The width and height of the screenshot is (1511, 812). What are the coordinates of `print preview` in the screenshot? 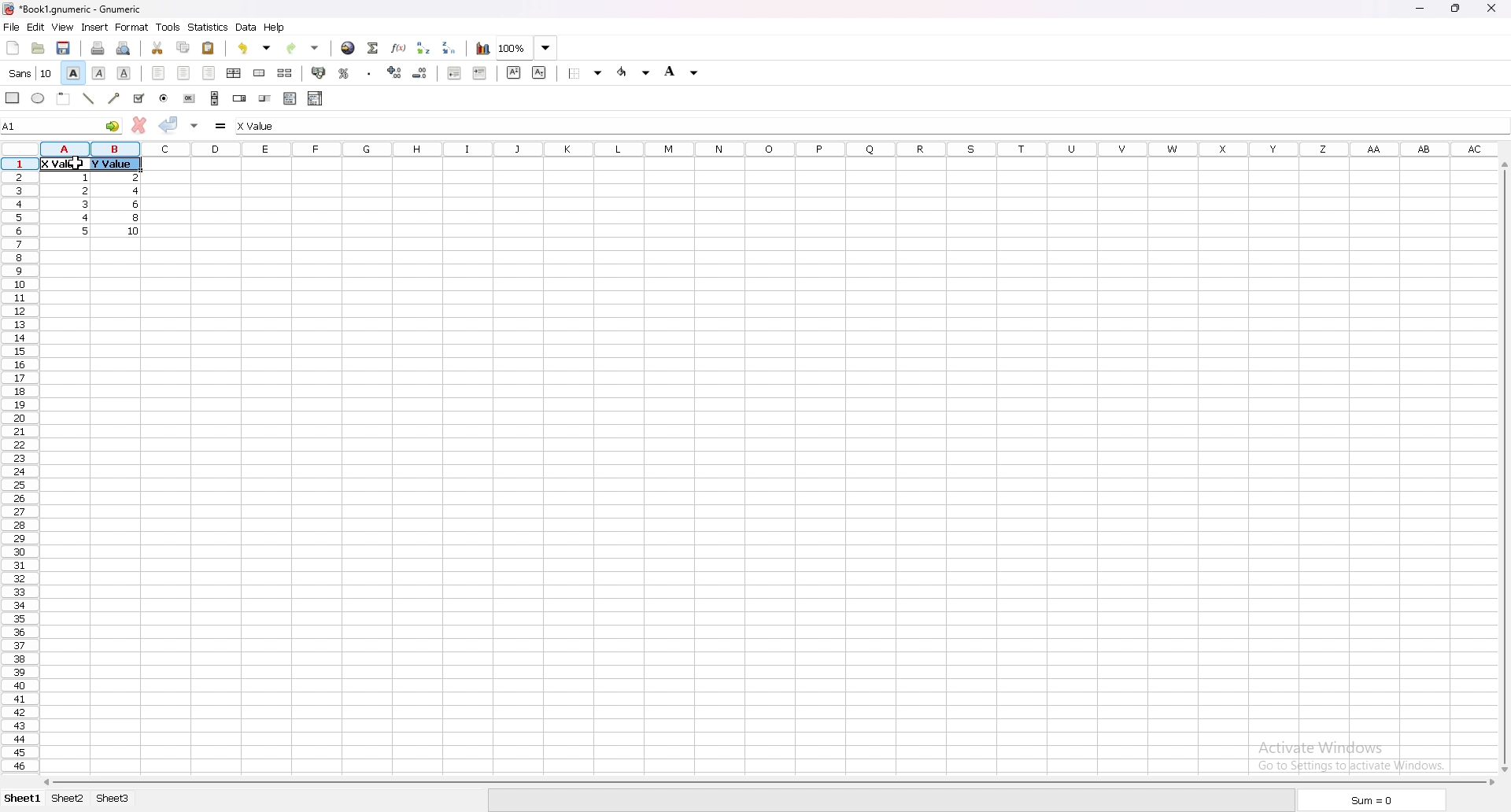 It's located at (124, 48).